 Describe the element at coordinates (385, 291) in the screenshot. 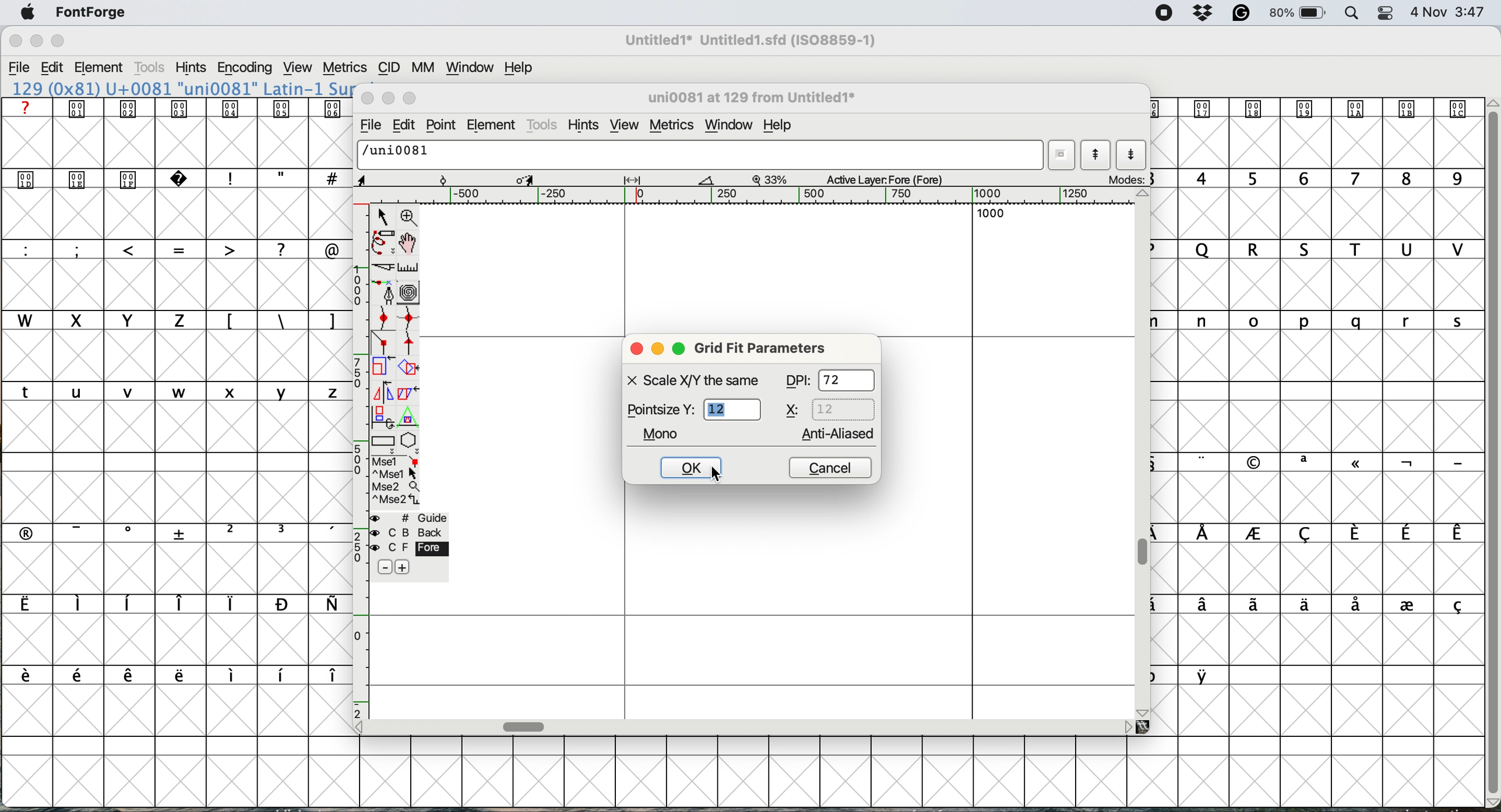

I see `add a point then drag out its points` at that location.